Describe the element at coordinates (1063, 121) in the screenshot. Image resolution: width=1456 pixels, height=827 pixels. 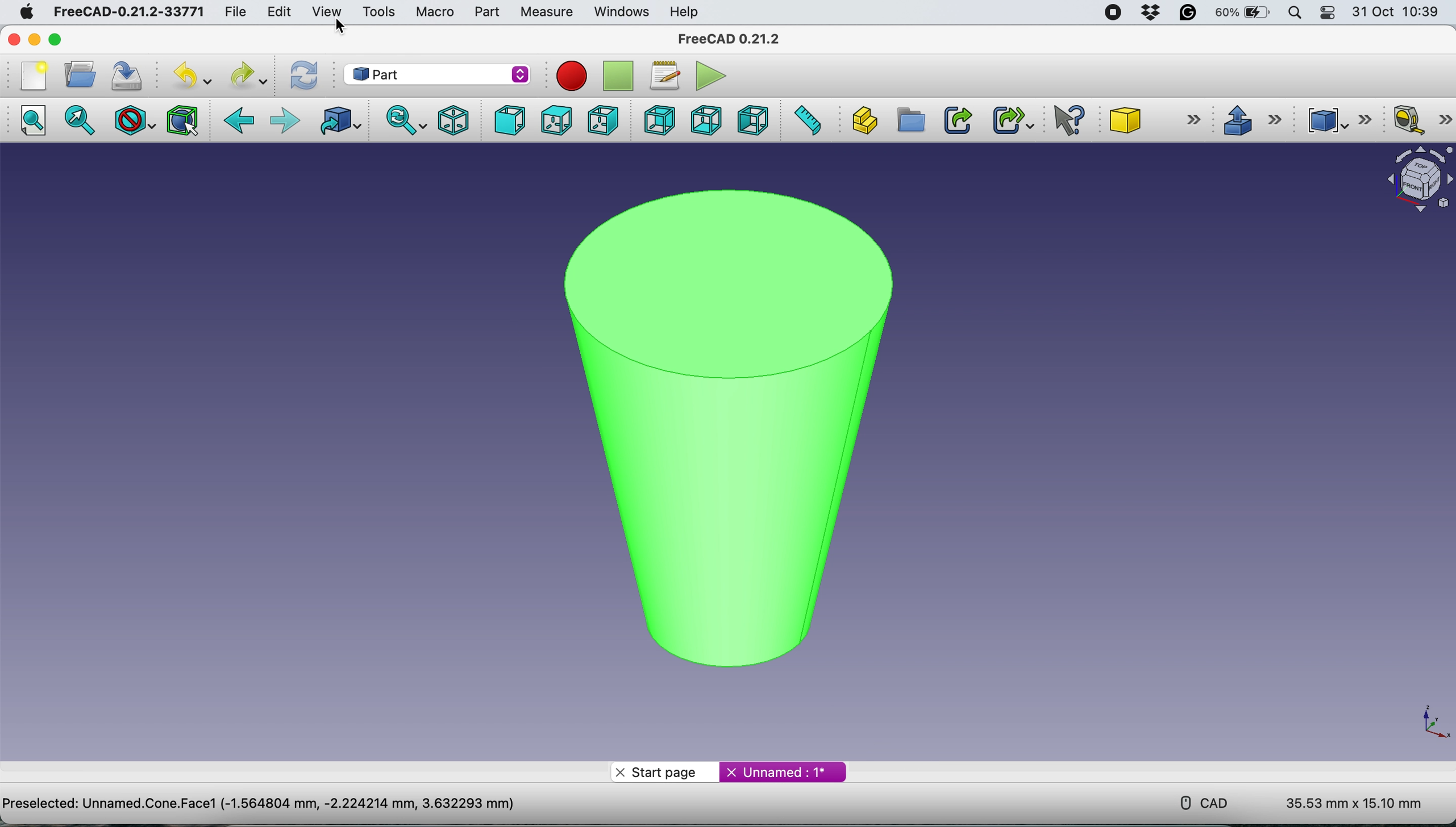
I see `whats this` at that location.